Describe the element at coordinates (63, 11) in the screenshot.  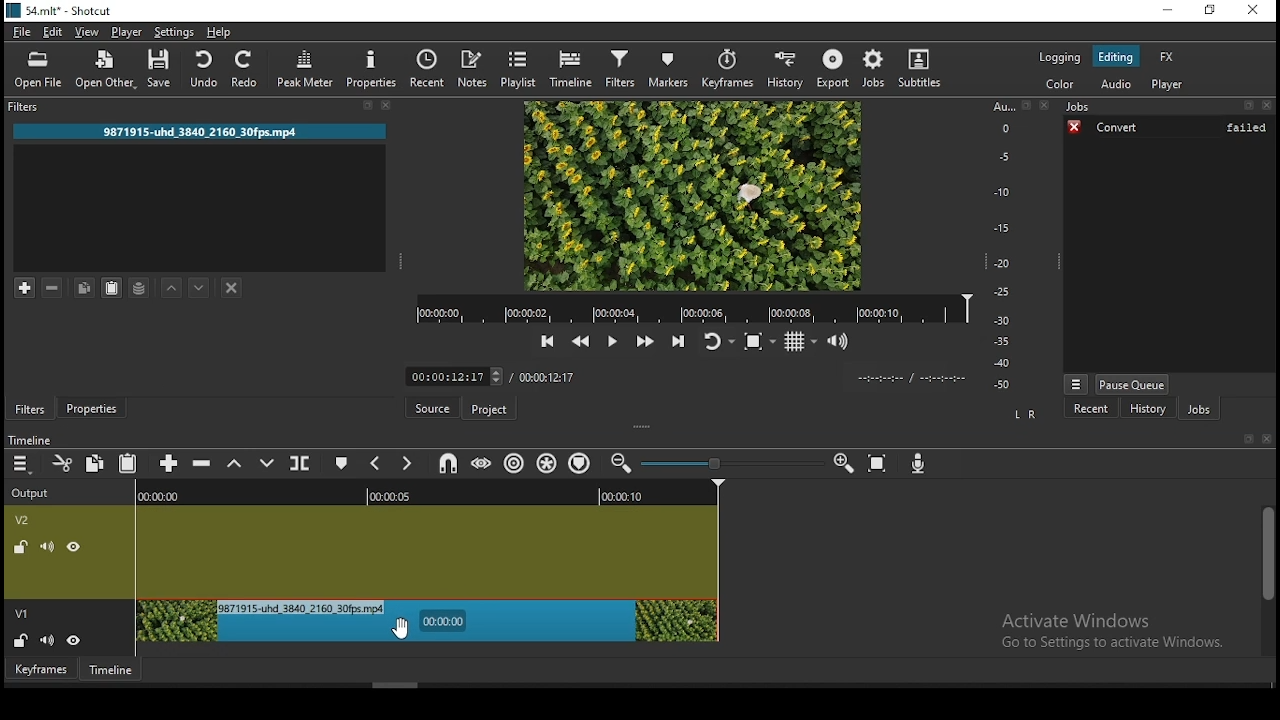
I see `icon and file name` at that location.